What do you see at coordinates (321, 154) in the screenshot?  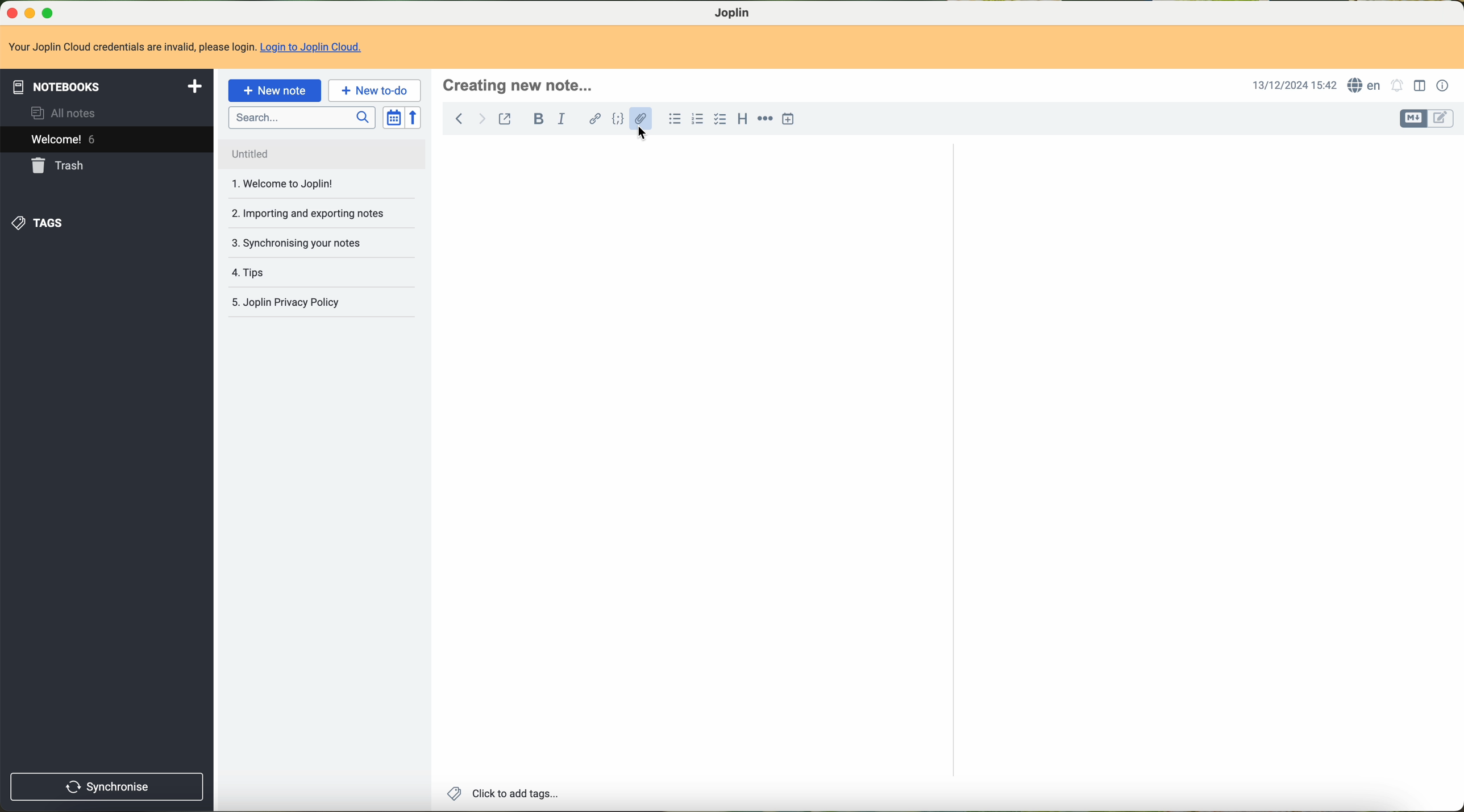 I see `untitled note` at bounding box center [321, 154].